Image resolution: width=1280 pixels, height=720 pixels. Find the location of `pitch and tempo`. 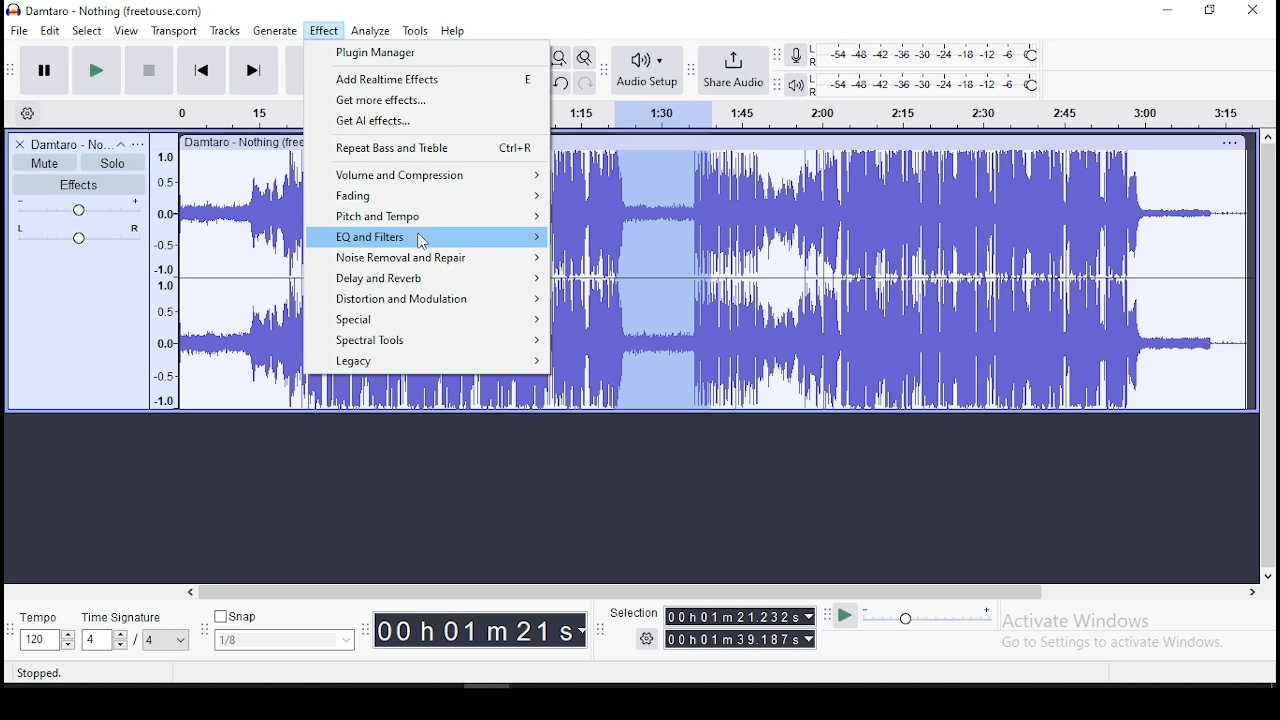

pitch and tempo is located at coordinates (425, 215).